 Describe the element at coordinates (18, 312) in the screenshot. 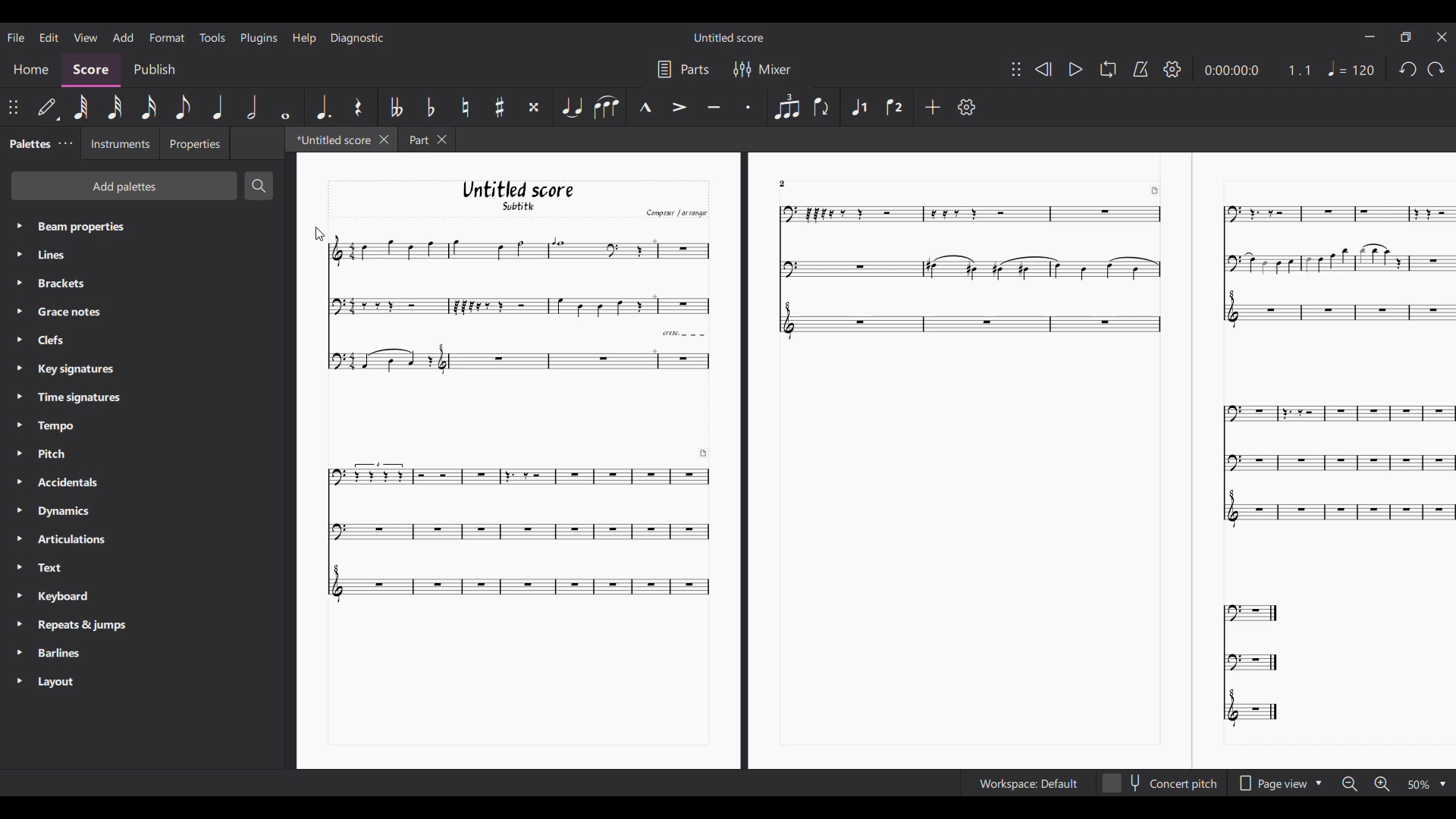

I see `` at that location.